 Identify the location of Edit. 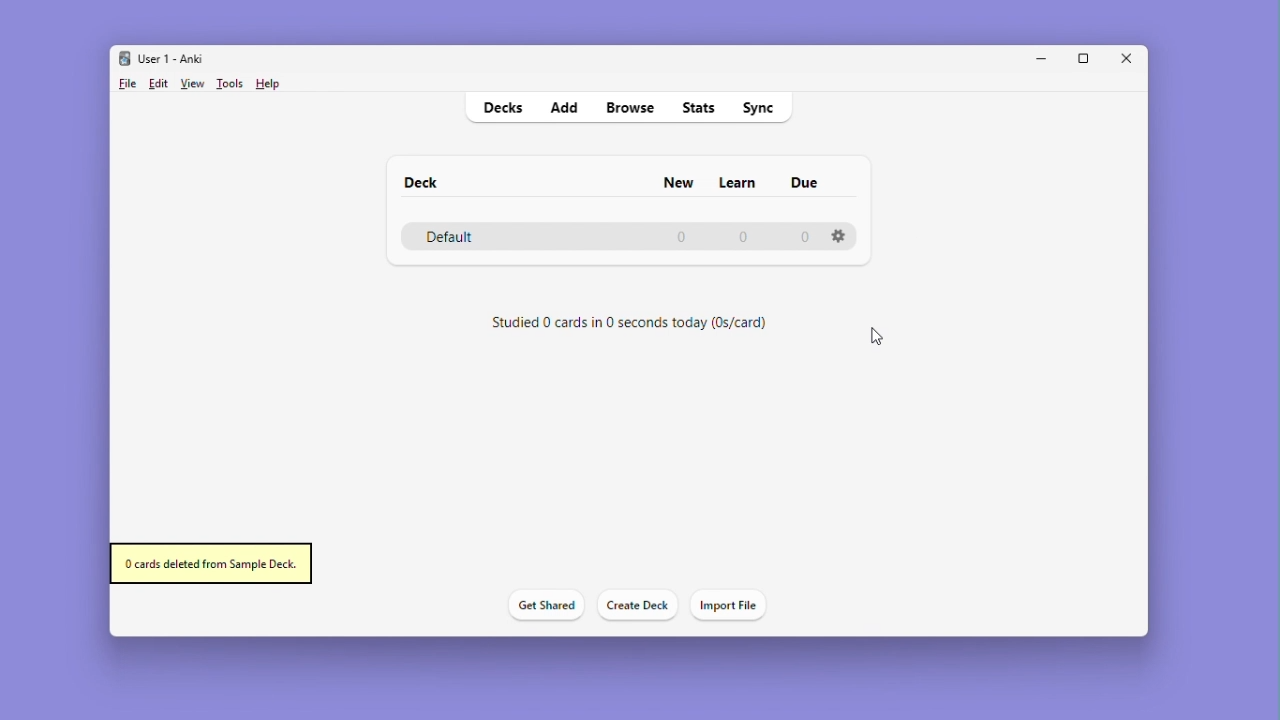
(159, 83).